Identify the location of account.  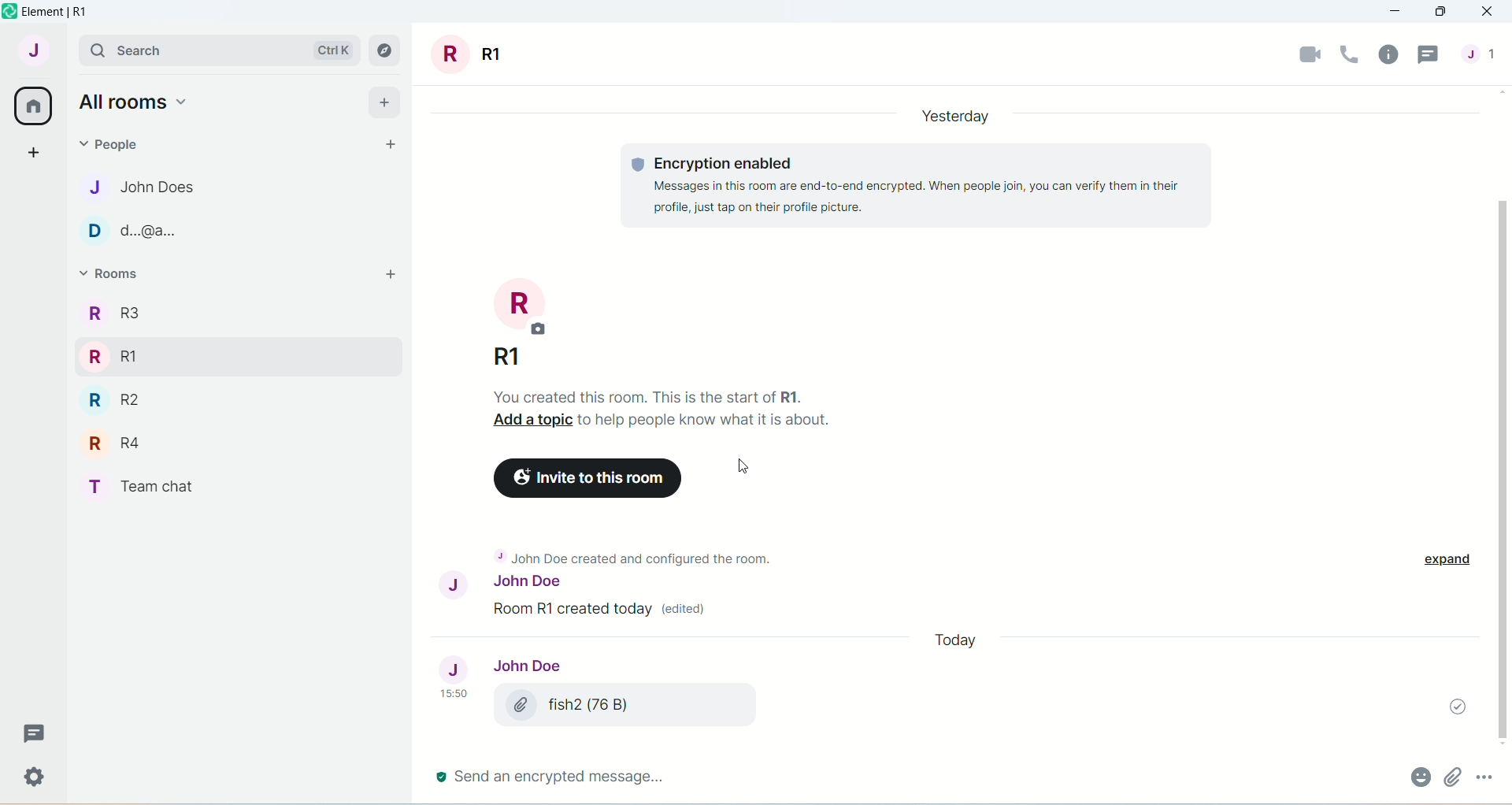
(34, 53).